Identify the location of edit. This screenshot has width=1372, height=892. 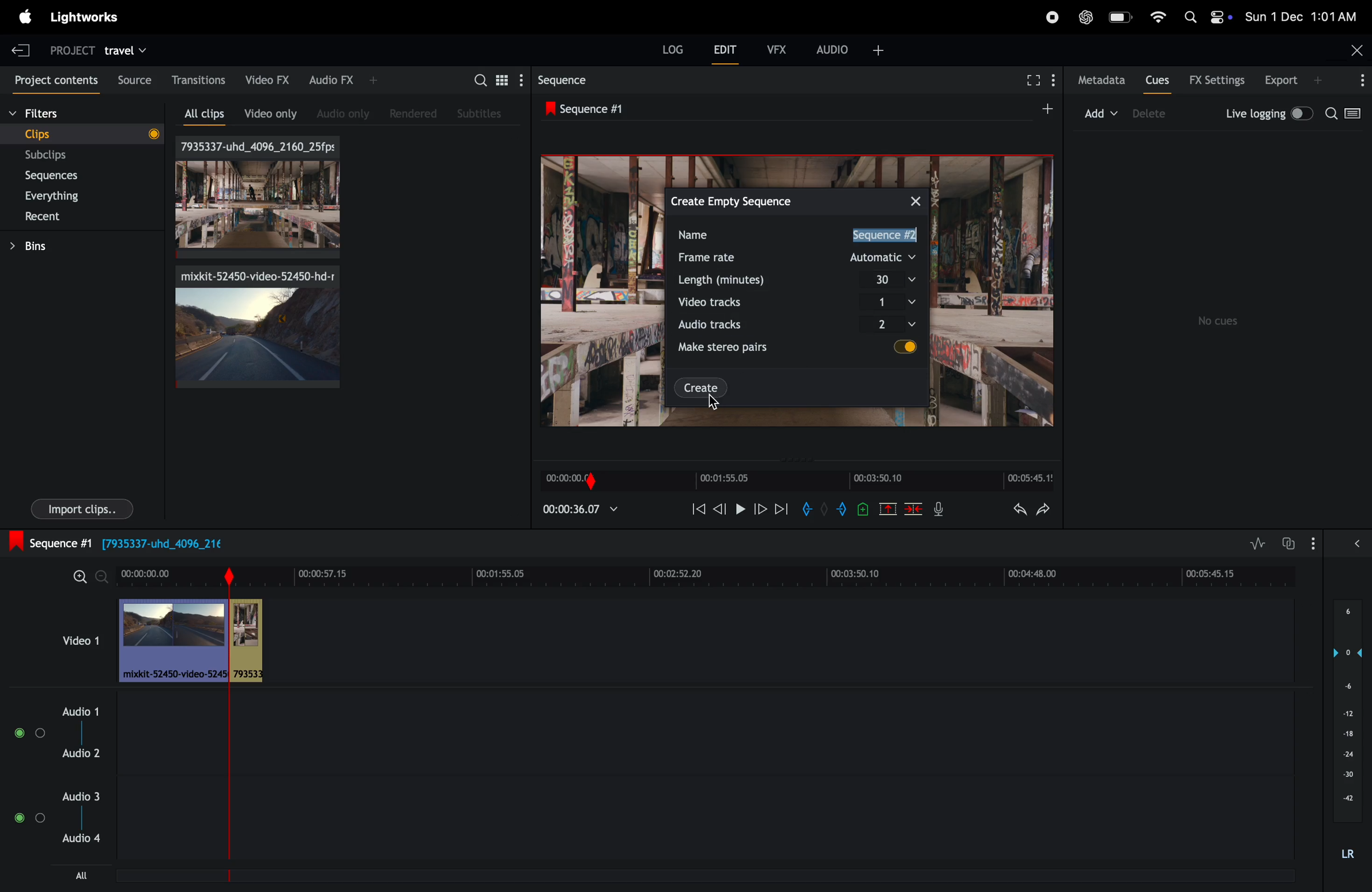
(725, 49).